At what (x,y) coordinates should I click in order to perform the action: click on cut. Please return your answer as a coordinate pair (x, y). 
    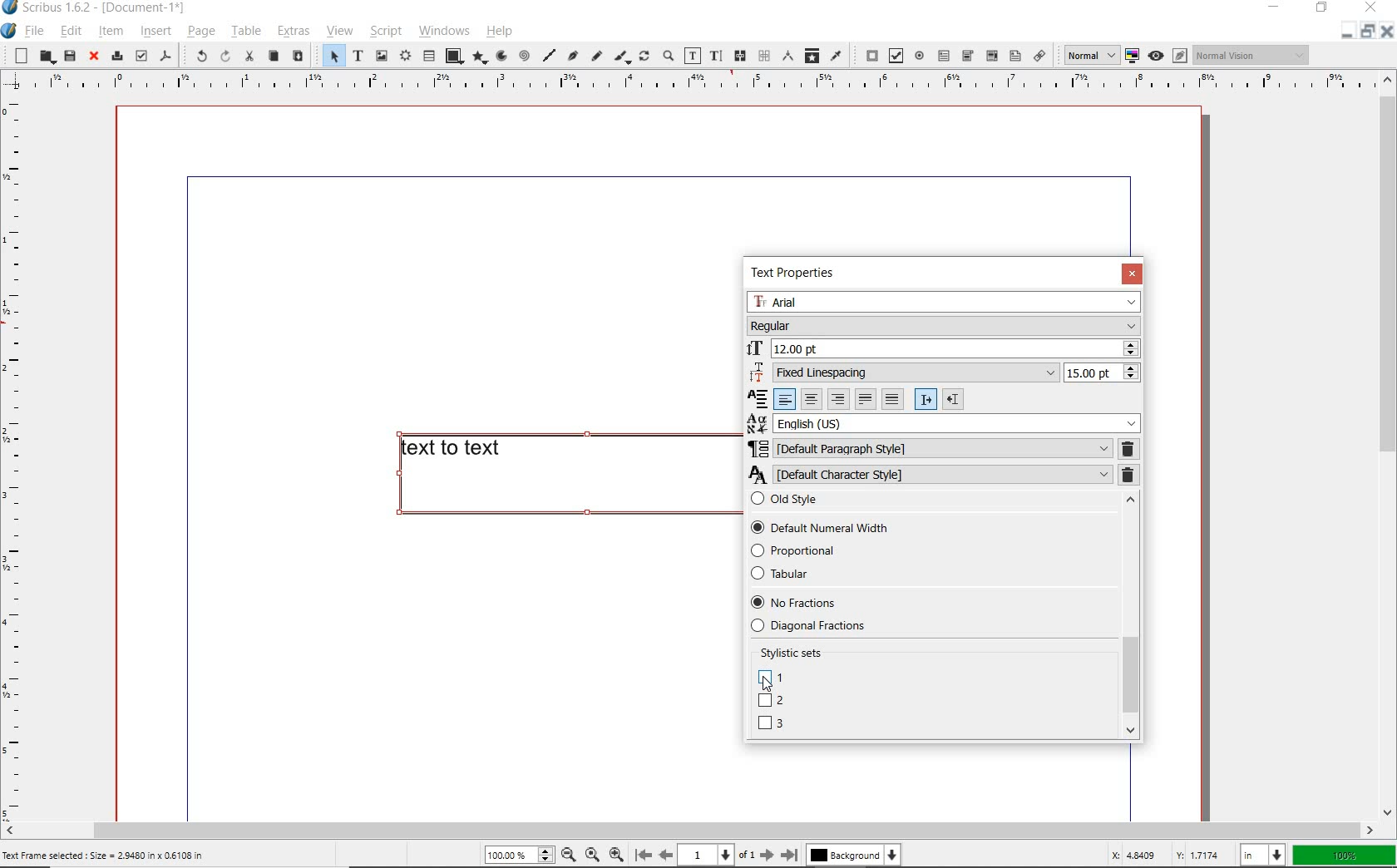
    Looking at the image, I should click on (249, 57).